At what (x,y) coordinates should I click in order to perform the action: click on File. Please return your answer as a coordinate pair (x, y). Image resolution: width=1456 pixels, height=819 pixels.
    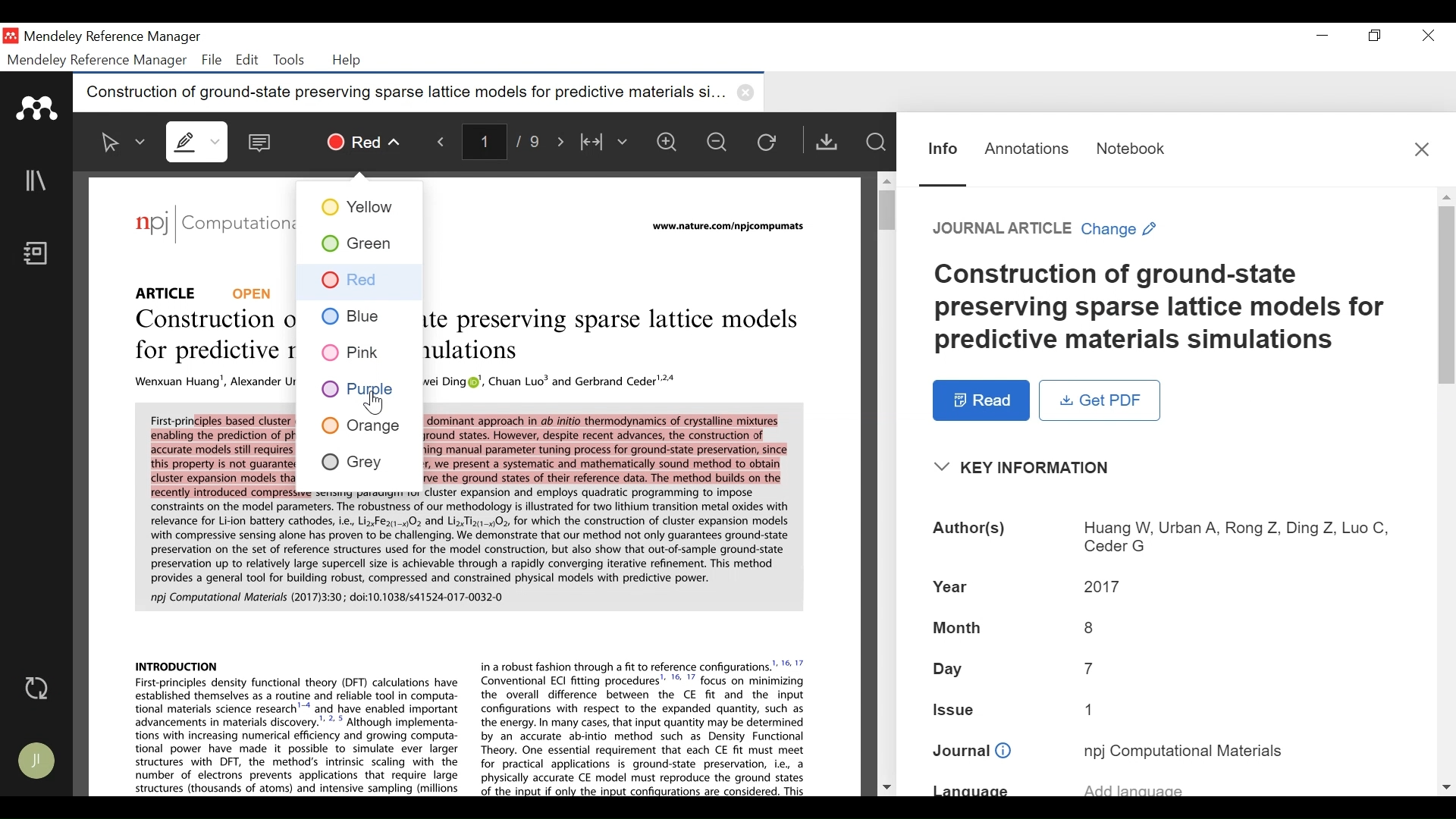
    Looking at the image, I should click on (212, 61).